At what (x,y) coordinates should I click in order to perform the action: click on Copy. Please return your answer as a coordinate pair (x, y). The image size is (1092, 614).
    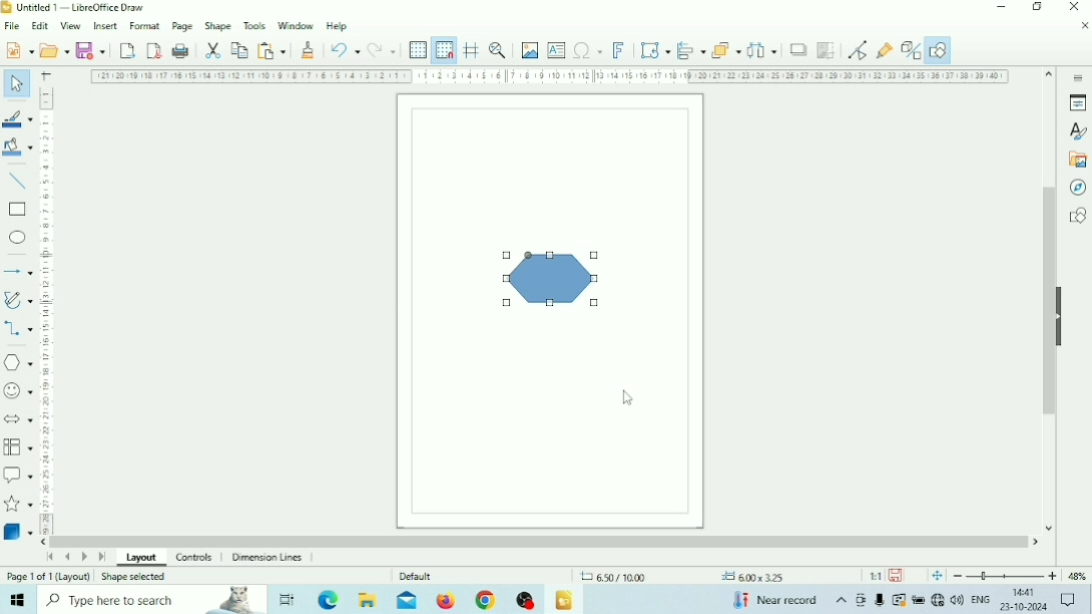
    Looking at the image, I should click on (239, 50).